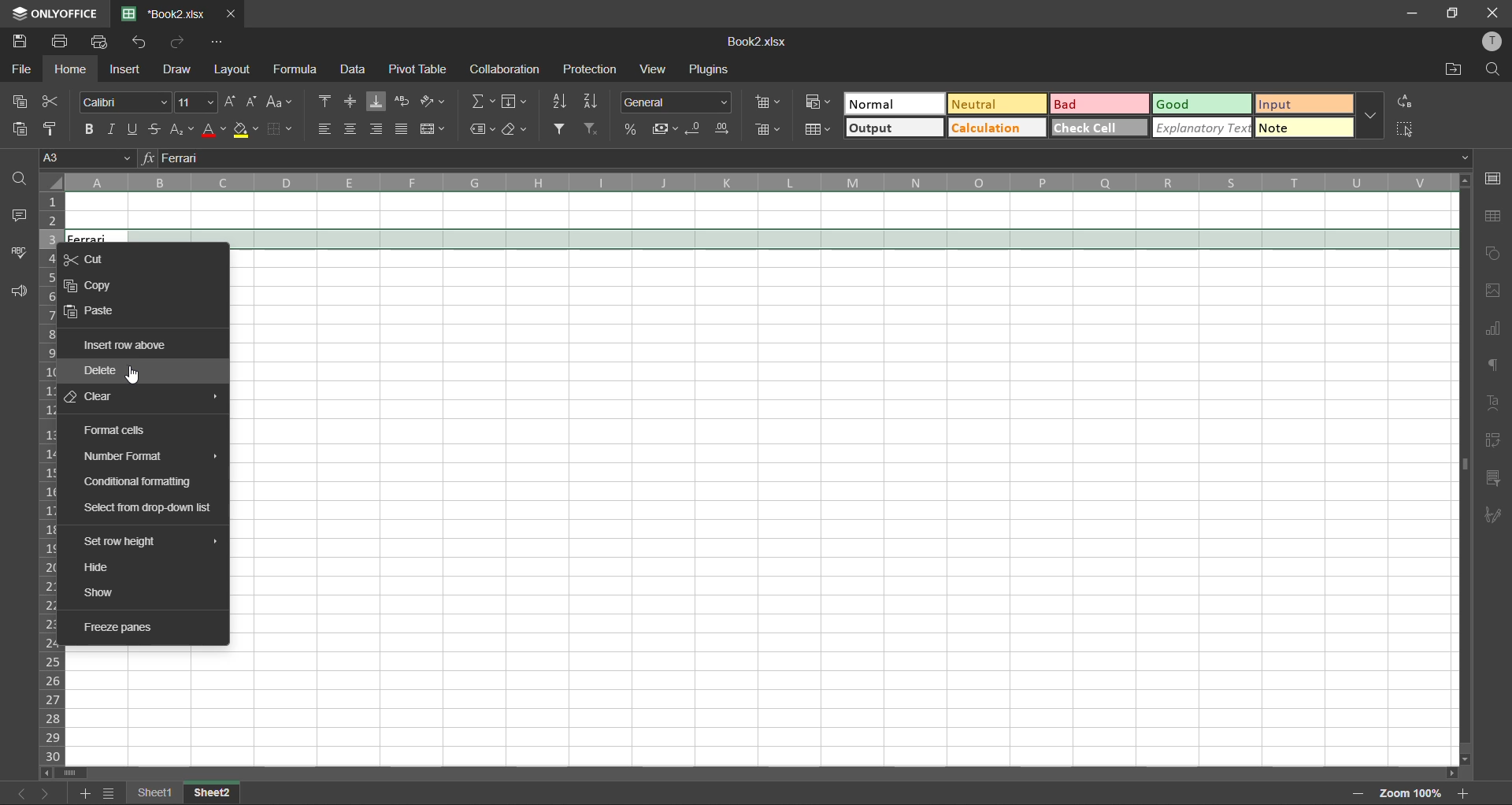 This screenshot has width=1512, height=805. Describe the element at coordinates (229, 102) in the screenshot. I see `increment size` at that location.